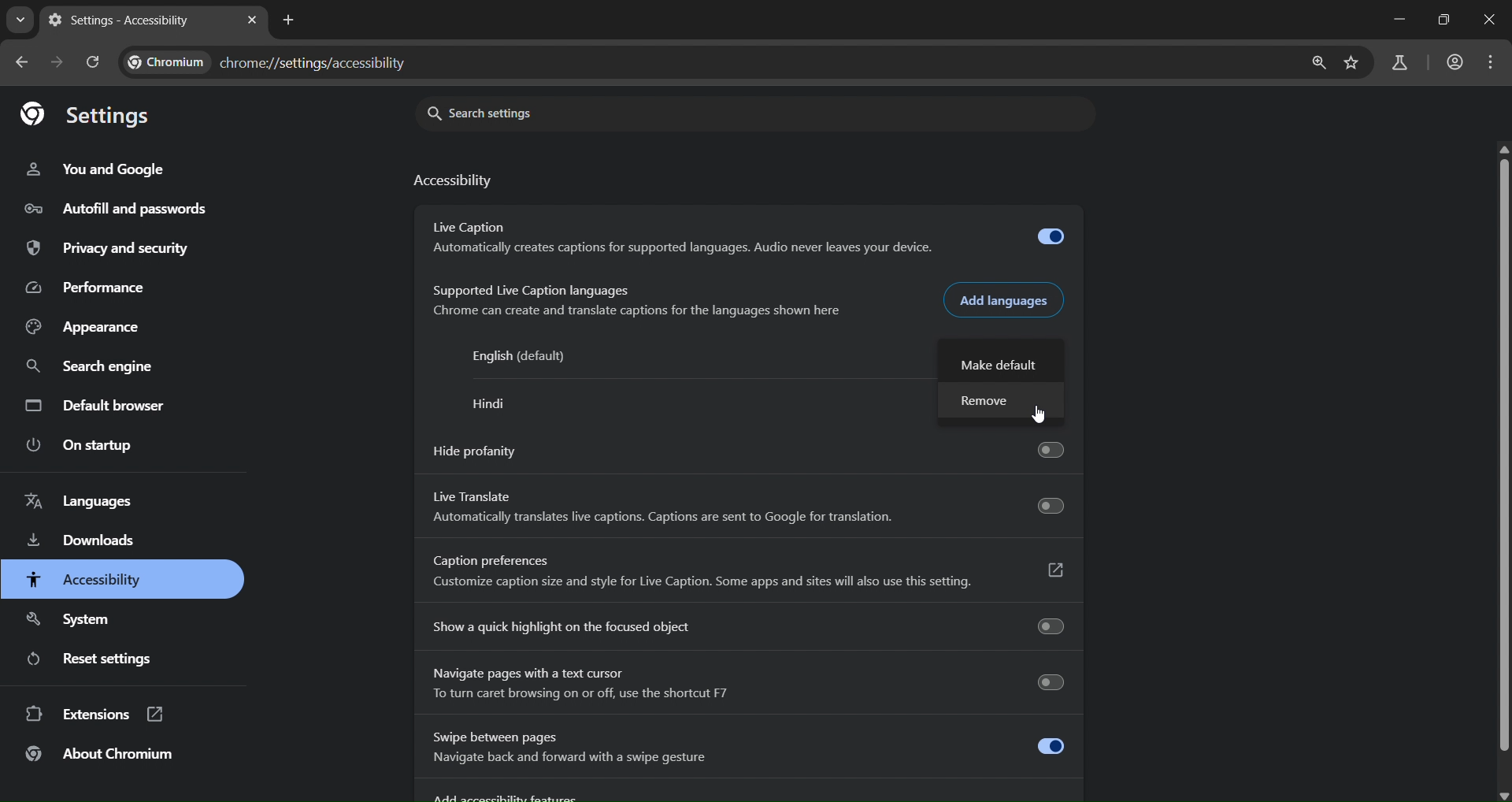 The height and width of the screenshot is (802, 1512). I want to click on minimize, so click(1399, 17).